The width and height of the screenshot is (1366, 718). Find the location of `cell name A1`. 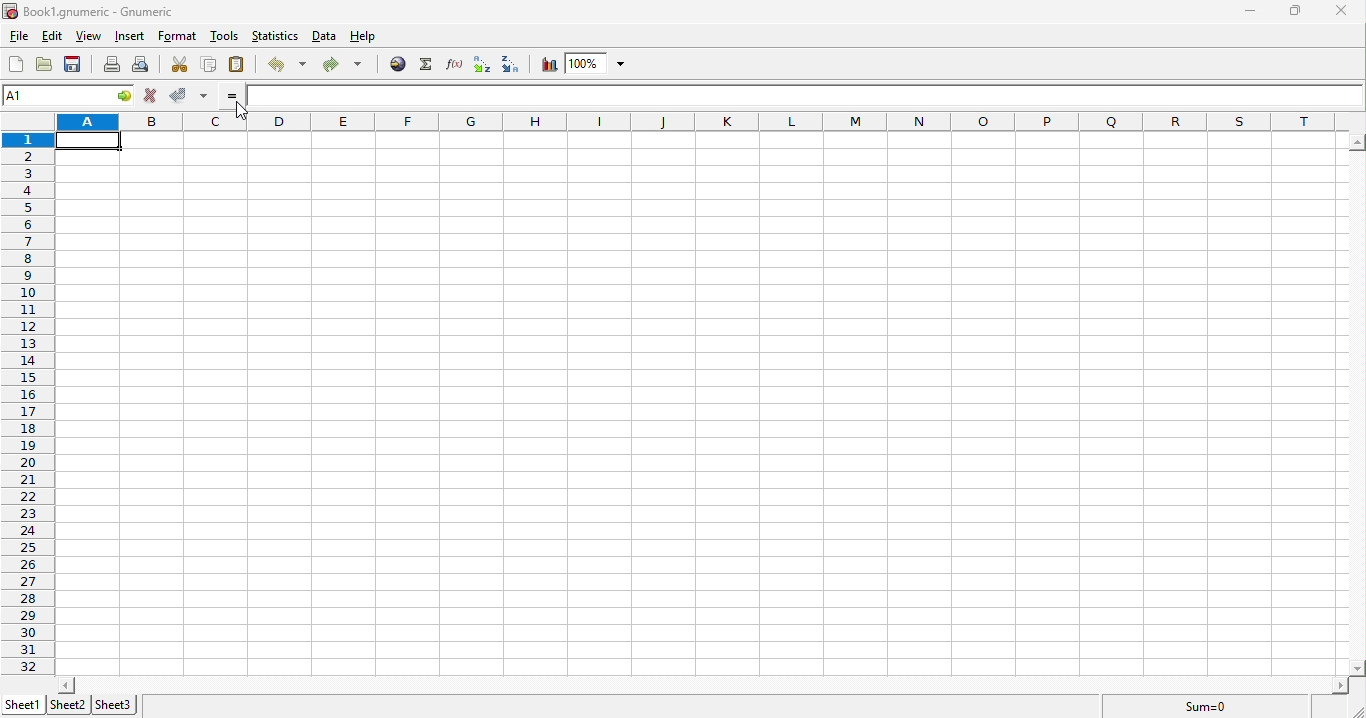

cell name A1 is located at coordinates (55, 93).